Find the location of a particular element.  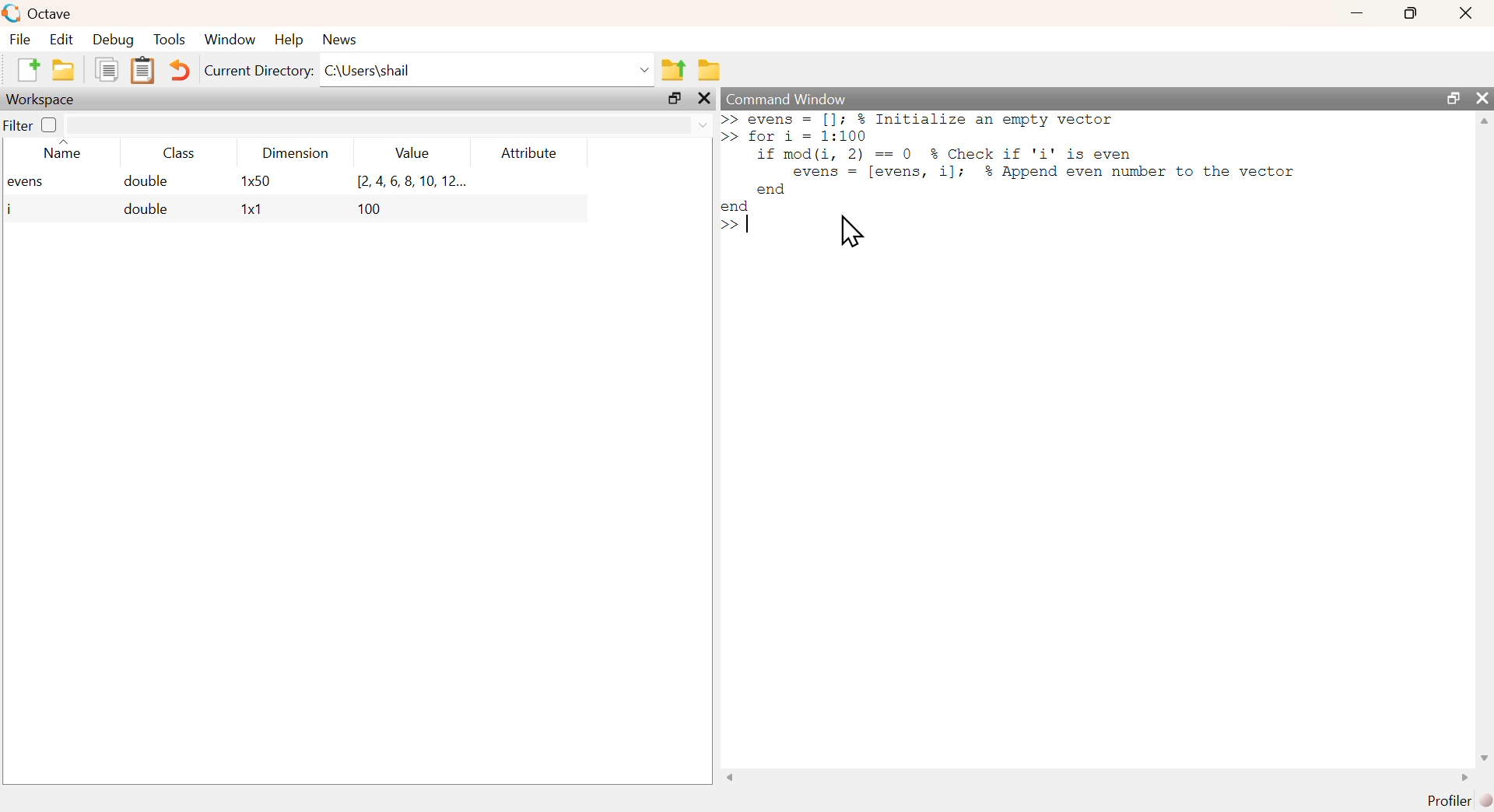

commands is located at coordinates (1011, 208).